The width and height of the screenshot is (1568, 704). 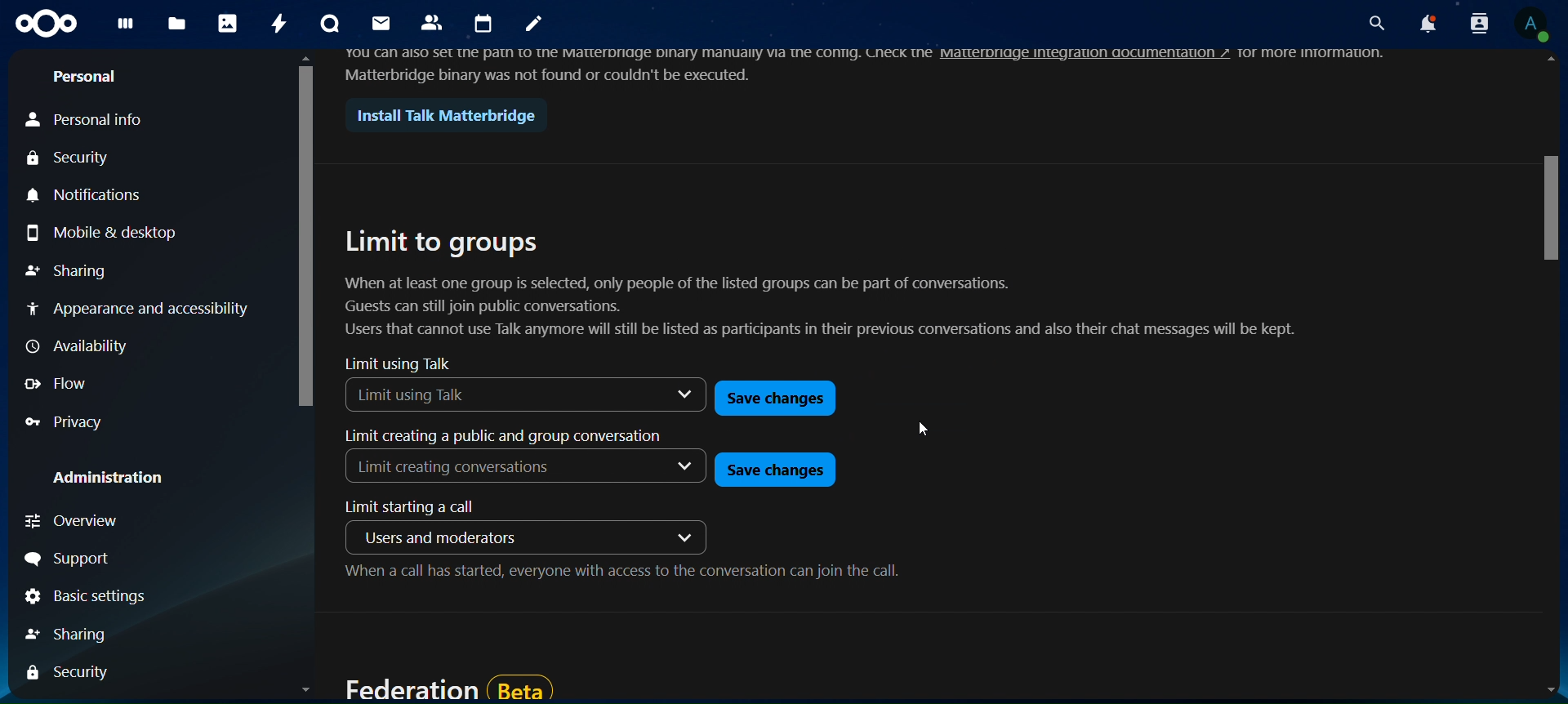 What do you see at coordinates (924, 425) in the screenshot?
I see `cursor` at bounding box center [924, 425].